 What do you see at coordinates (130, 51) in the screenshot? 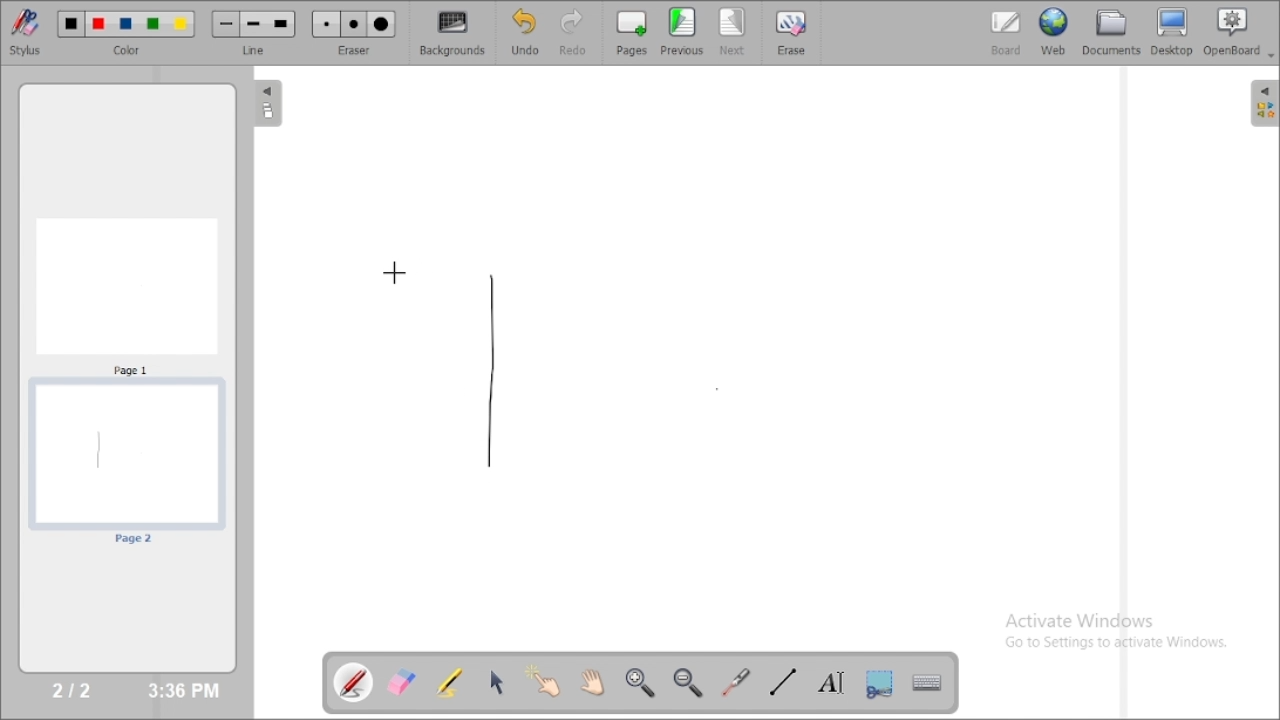
I see `color` at bounding box center [130, 51].